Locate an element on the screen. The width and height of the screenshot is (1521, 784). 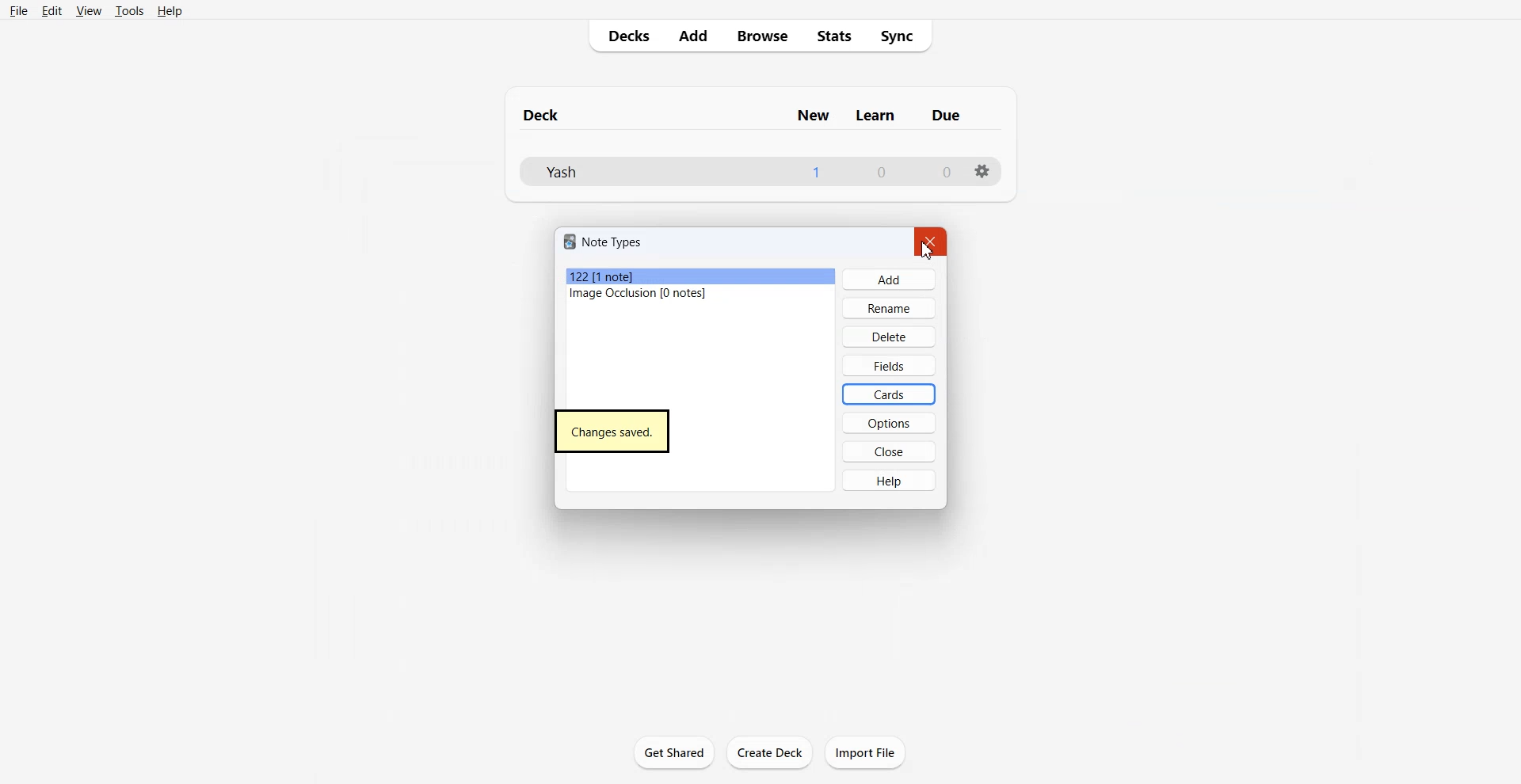
Image Occlusion is located at coordinates (701, 295).